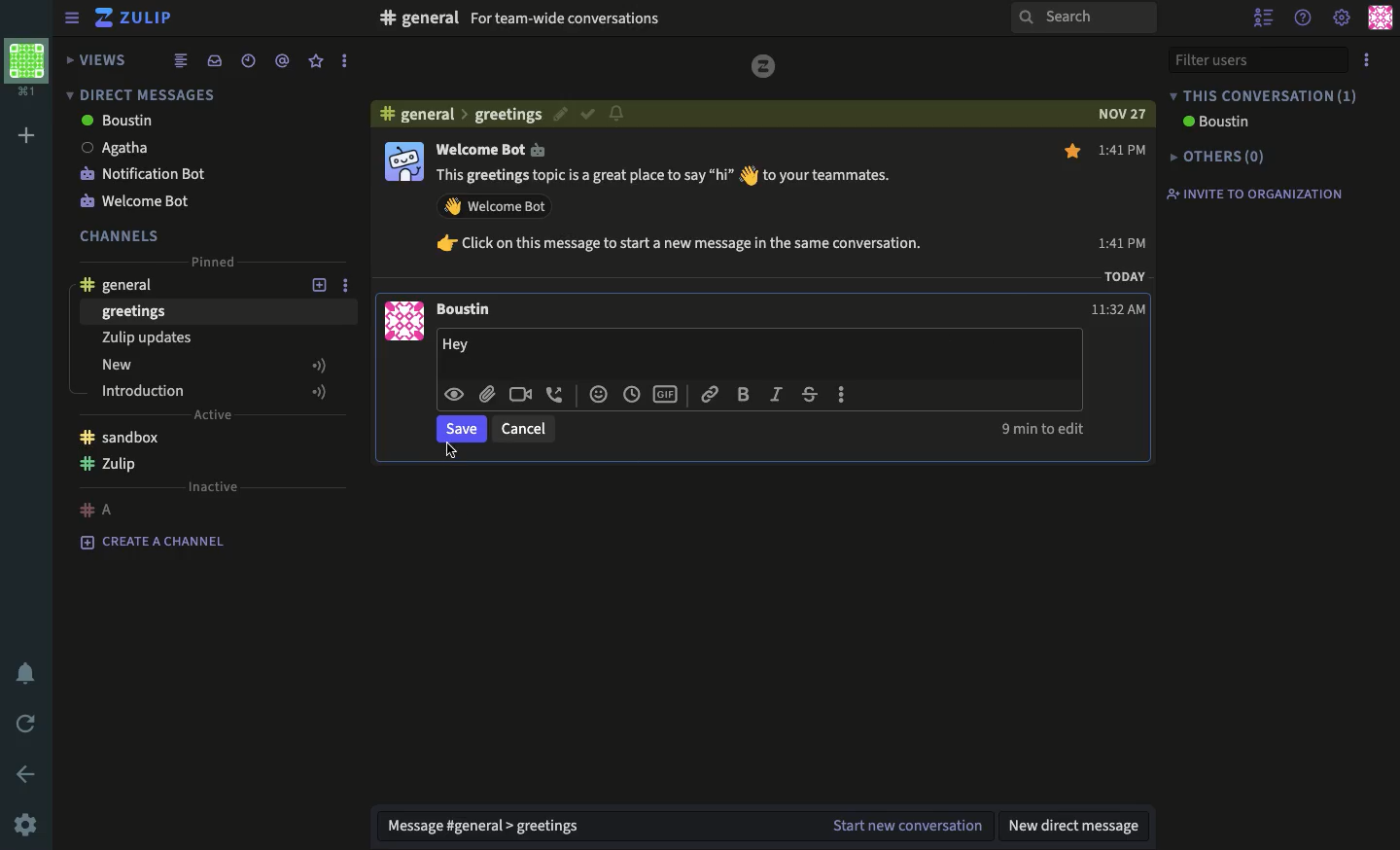  I want to click on This greetings topic is a great place to say “hi”  to your teammates. Welcome back. Click on this message to start a new message in the same conversation., so click(698, 217).